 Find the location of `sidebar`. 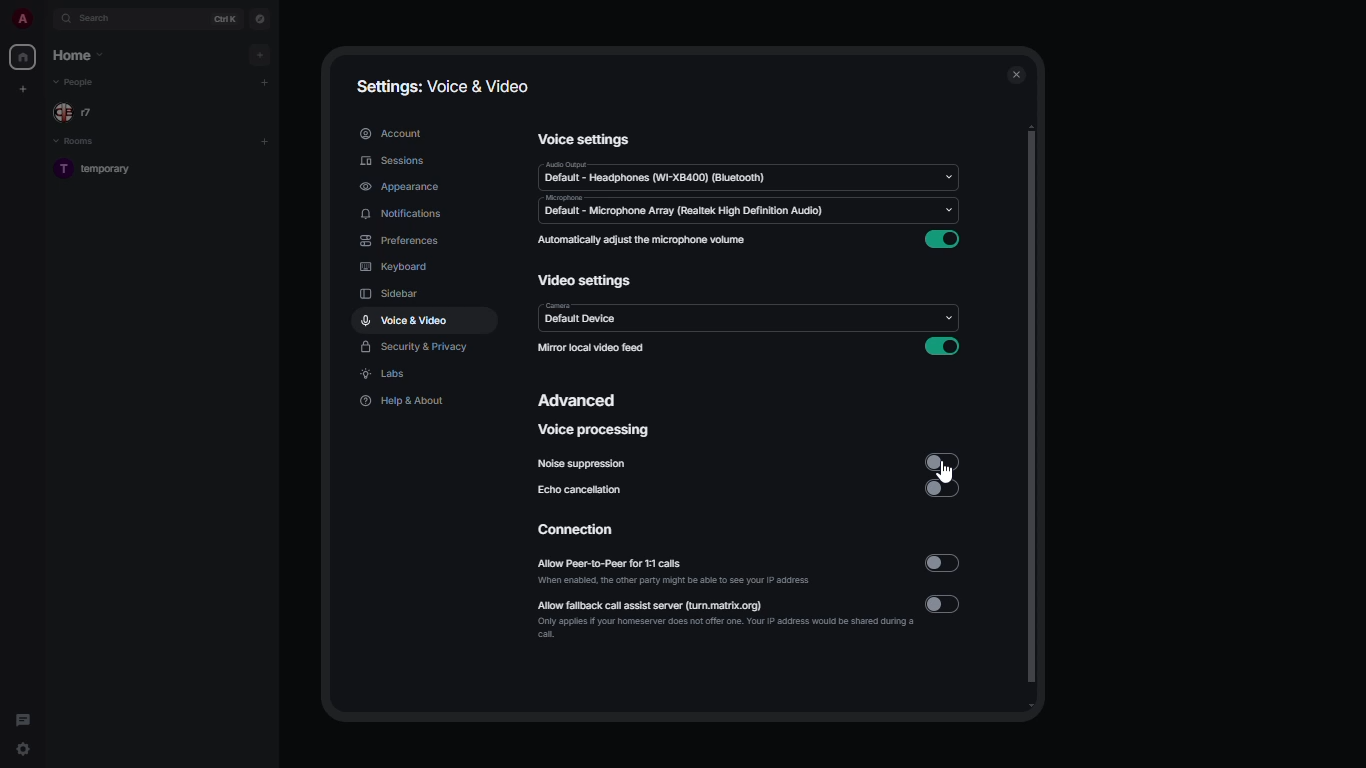

sidebar is located at coordinates (390, 293).